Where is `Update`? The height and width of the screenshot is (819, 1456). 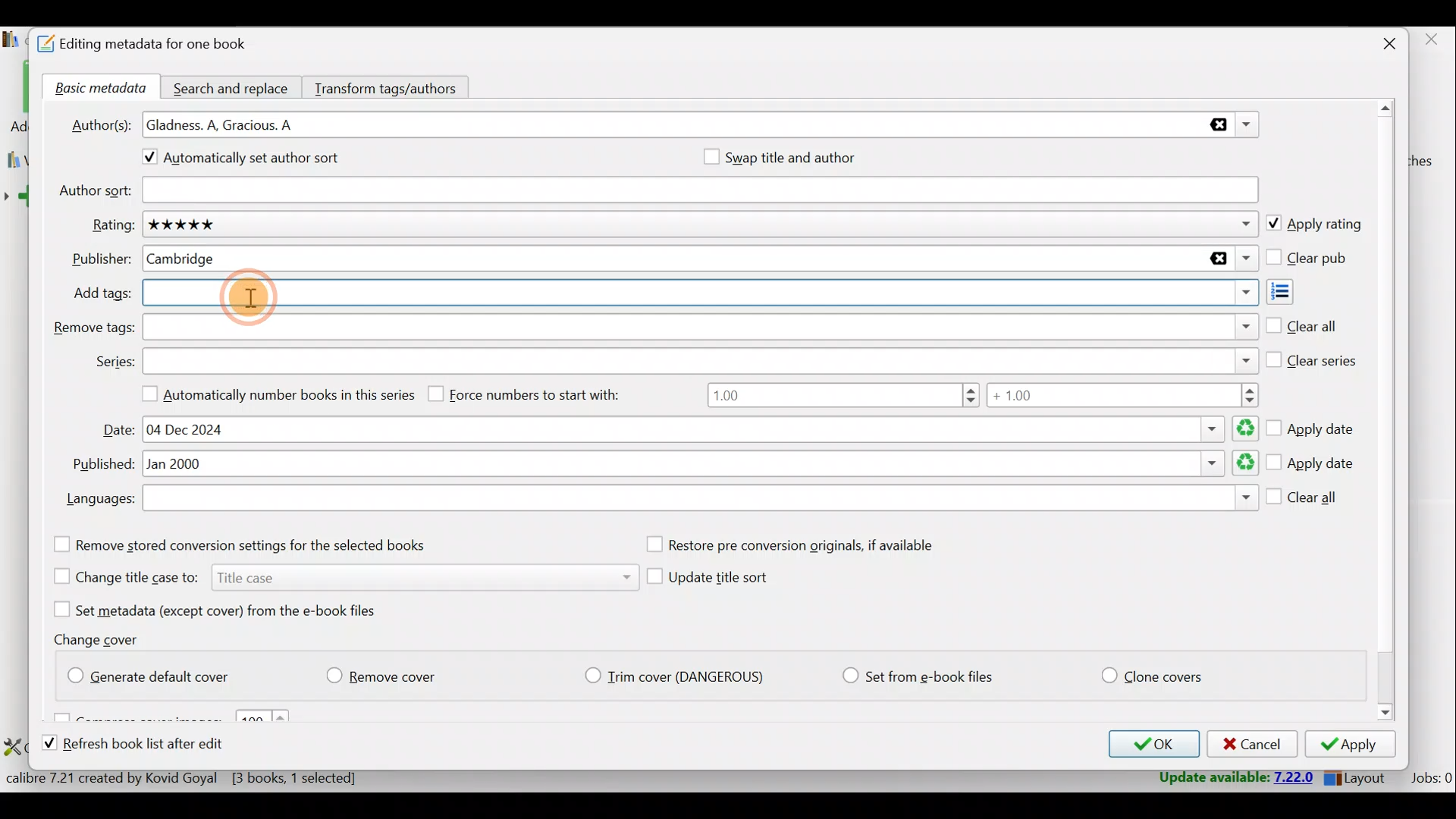
Update is located at coordinates (1234, 778).